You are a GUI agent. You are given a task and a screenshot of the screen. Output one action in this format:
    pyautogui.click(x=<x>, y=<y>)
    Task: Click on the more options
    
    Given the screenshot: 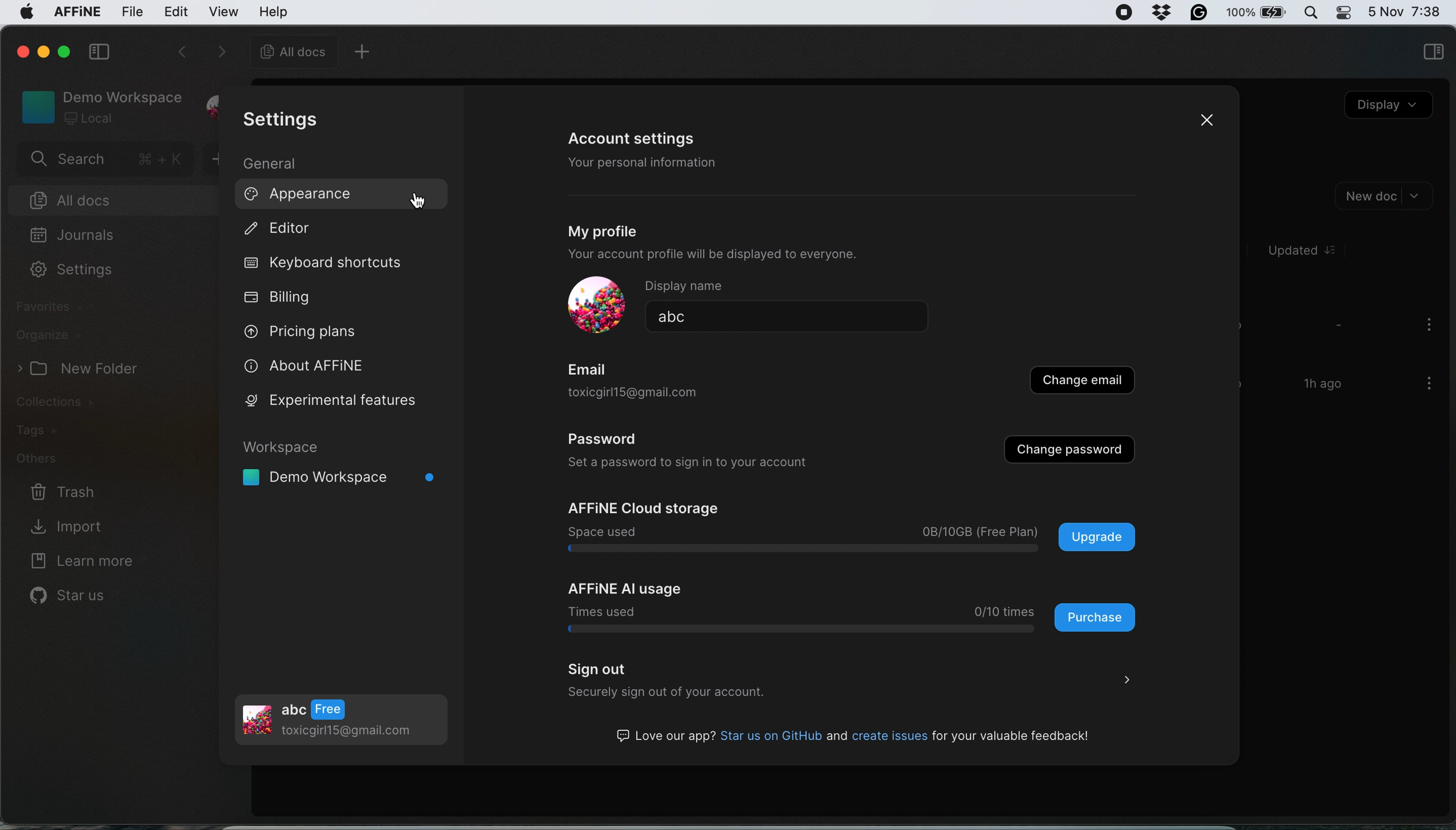 What is the action you would take?
    pyautogui.click(x=1425, y=327)
    